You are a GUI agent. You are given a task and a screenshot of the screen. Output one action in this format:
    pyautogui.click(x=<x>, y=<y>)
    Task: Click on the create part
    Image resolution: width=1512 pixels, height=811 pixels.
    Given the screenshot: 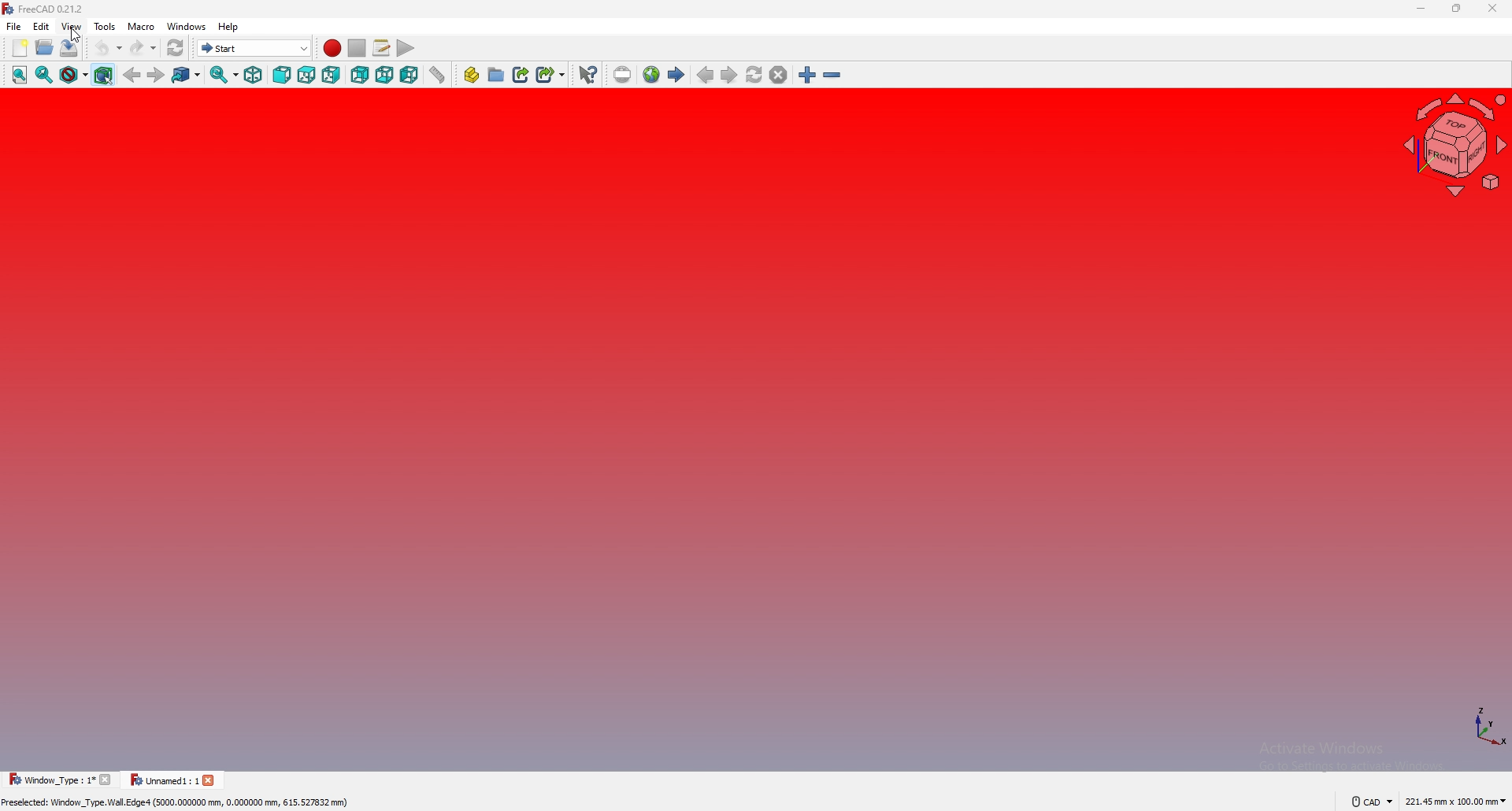 What is the action you would take?
    pyautogui.click(x=472, y=75)
    